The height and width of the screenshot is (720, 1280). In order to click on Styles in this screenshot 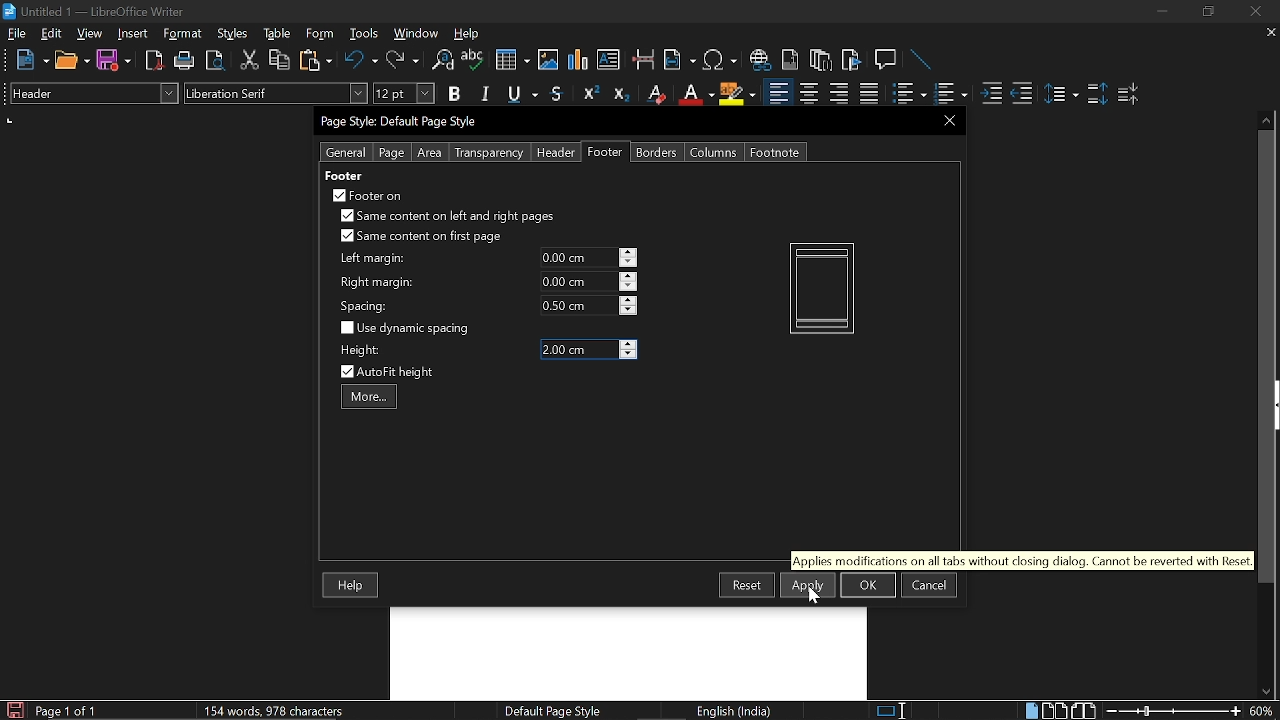, I will do `click(233, 34)`.